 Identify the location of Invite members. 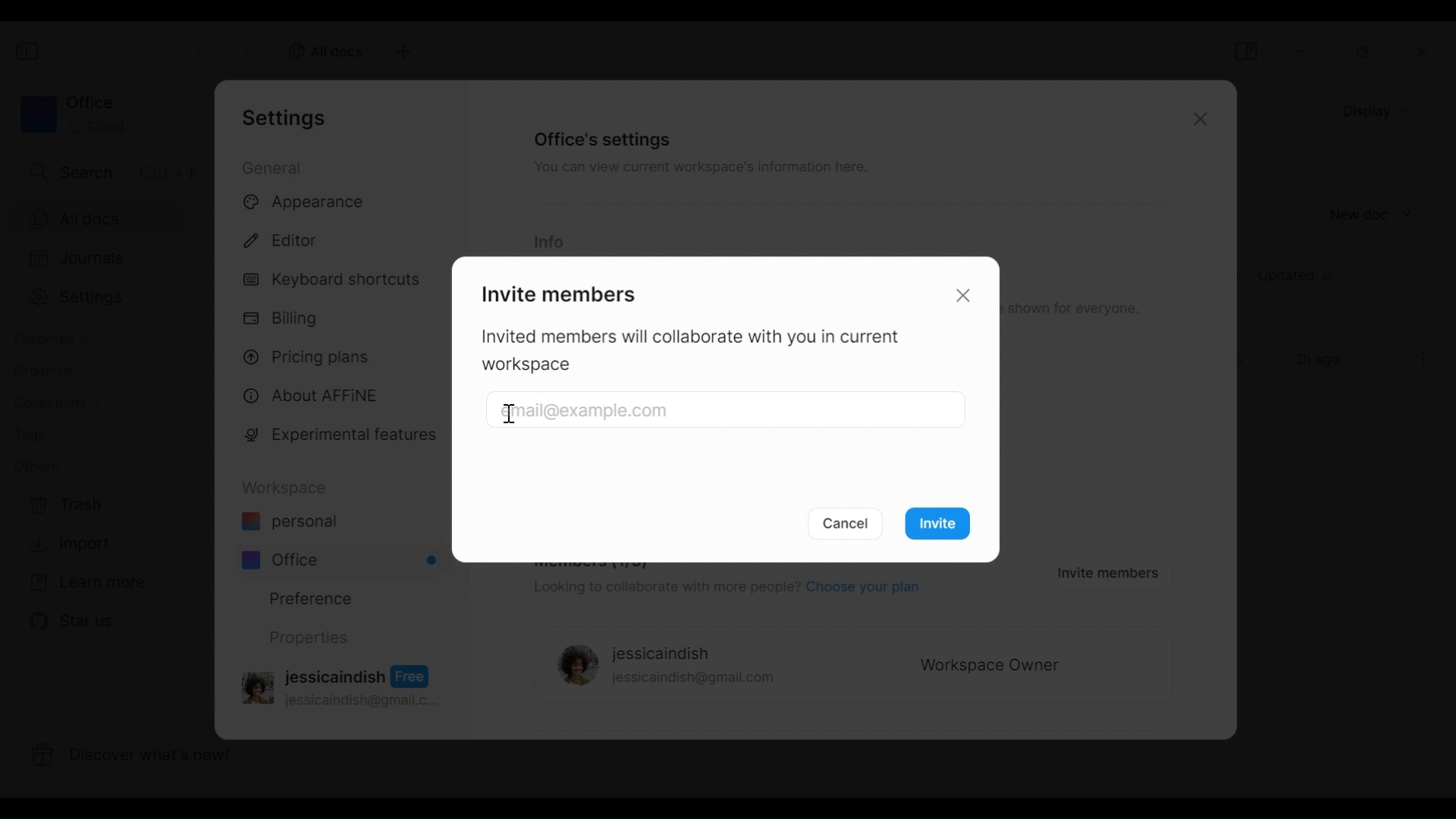
(556, 292).